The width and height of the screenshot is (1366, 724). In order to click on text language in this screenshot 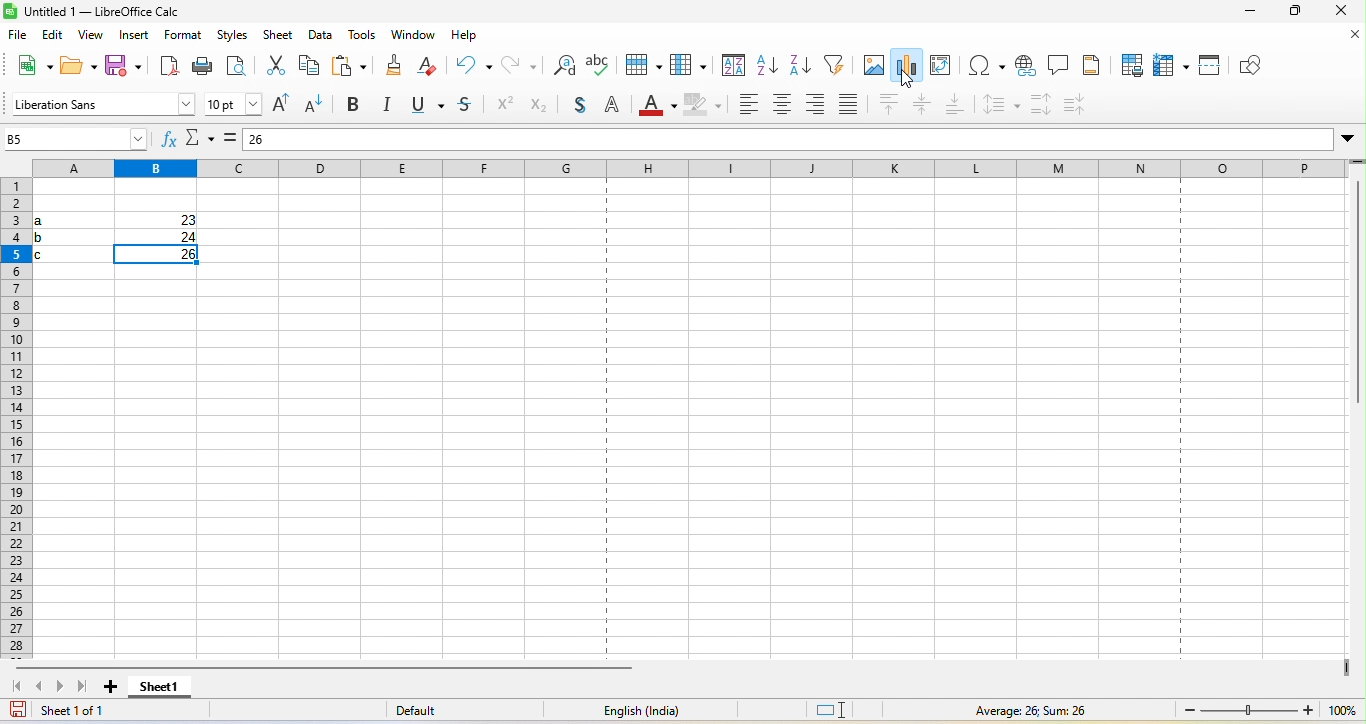, I will do `click(634, 713)`.